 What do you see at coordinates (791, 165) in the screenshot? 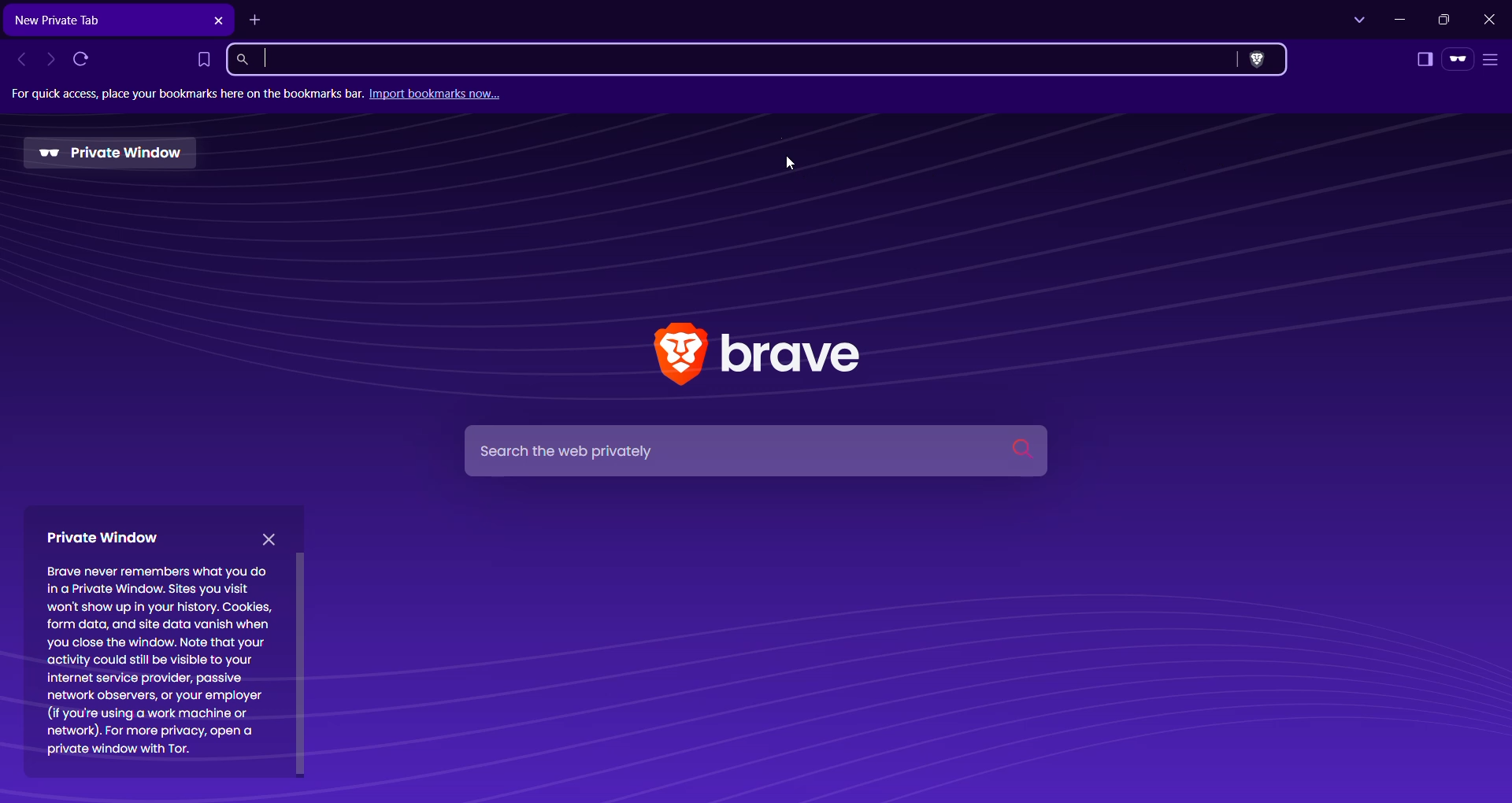
I see `Cursor` at bounding box center [791, 165].